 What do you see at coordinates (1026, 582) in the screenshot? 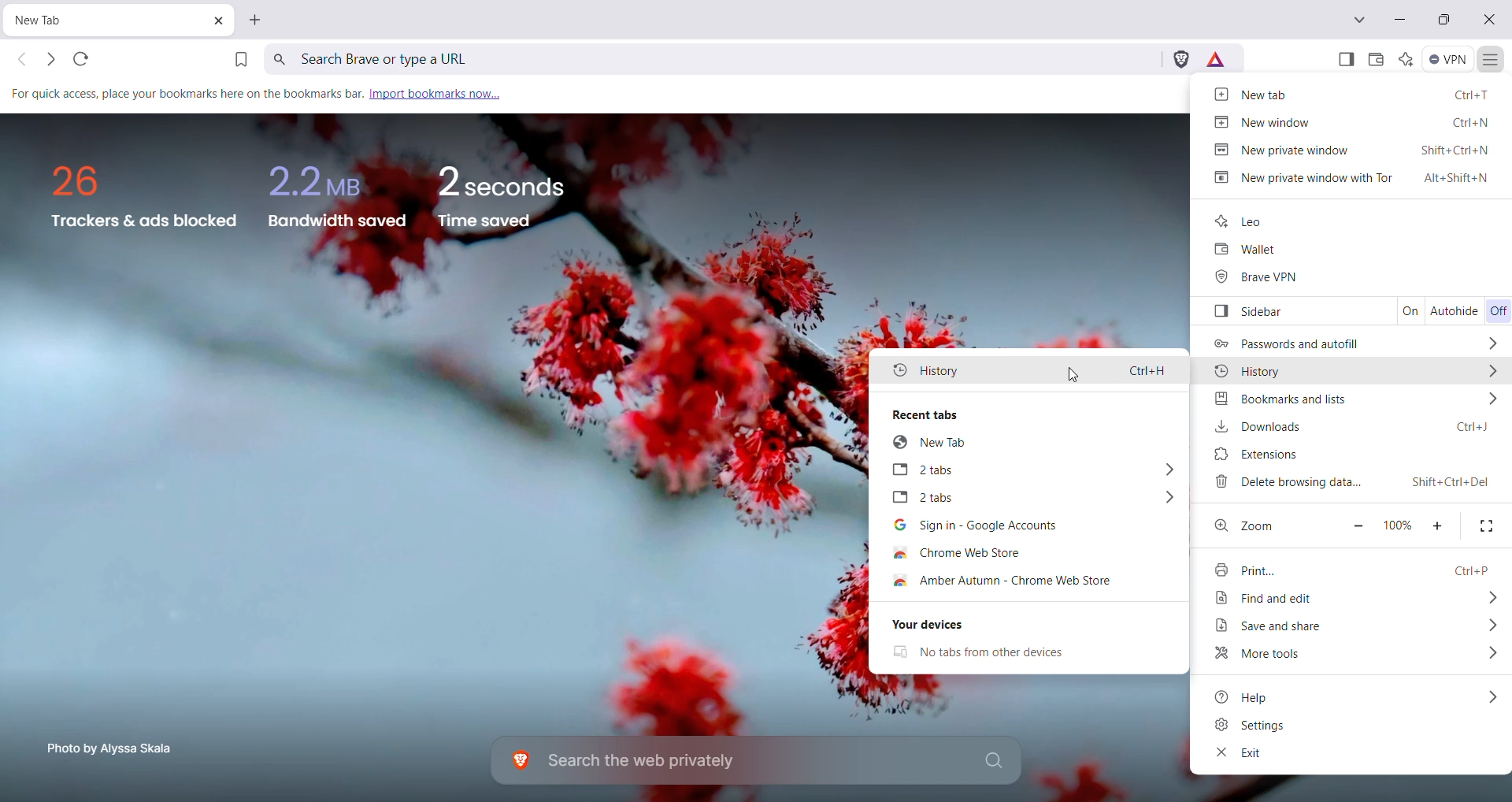
I see `Amber Autumn - Chrome Web Store` at bounding box center [1026, 582].